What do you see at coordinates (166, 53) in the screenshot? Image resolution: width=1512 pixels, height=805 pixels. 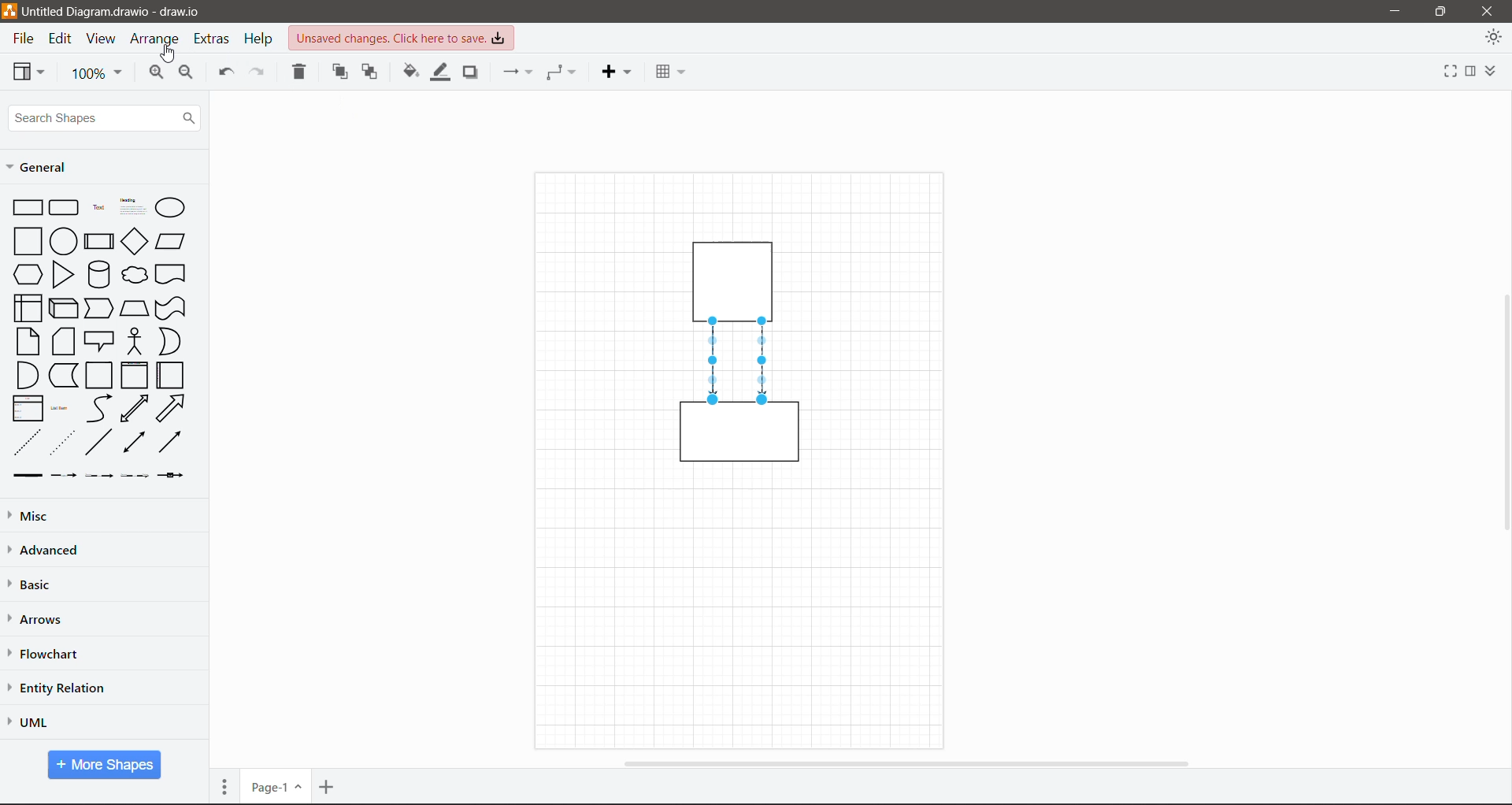 I see `Cursor` at bounding box center [166, 53].